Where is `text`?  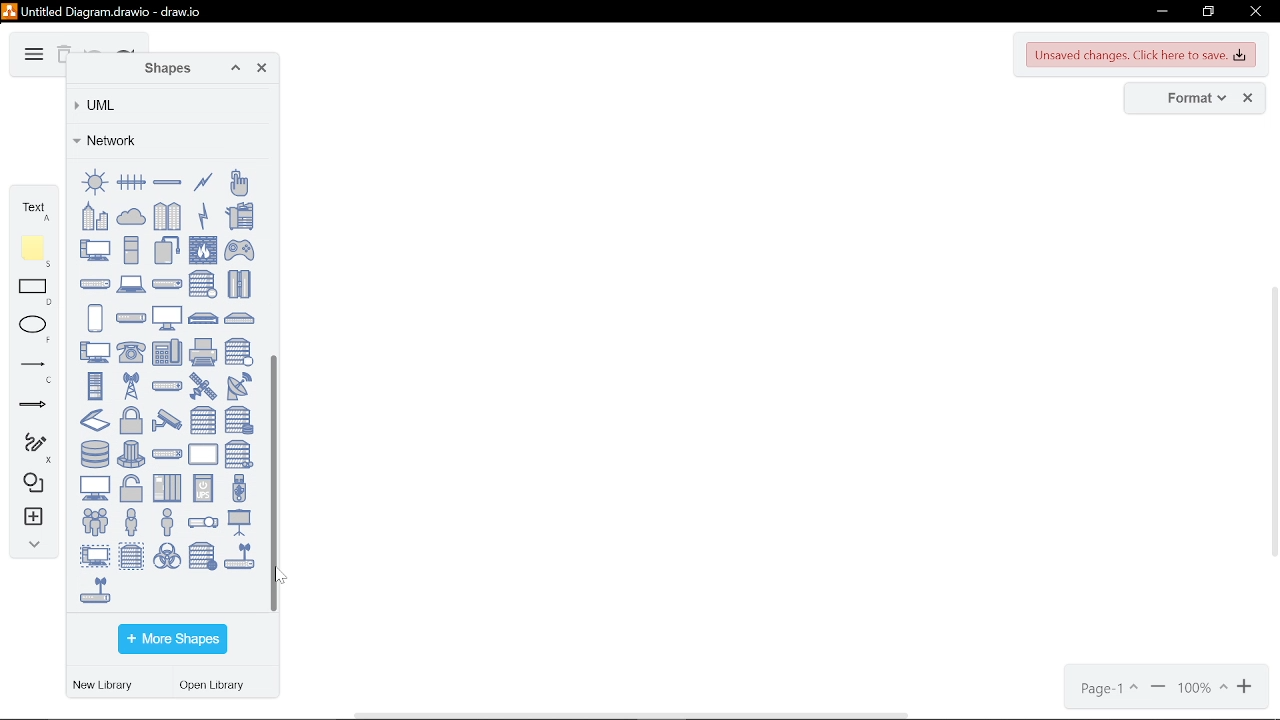 text is located at coordinates (34, 208).